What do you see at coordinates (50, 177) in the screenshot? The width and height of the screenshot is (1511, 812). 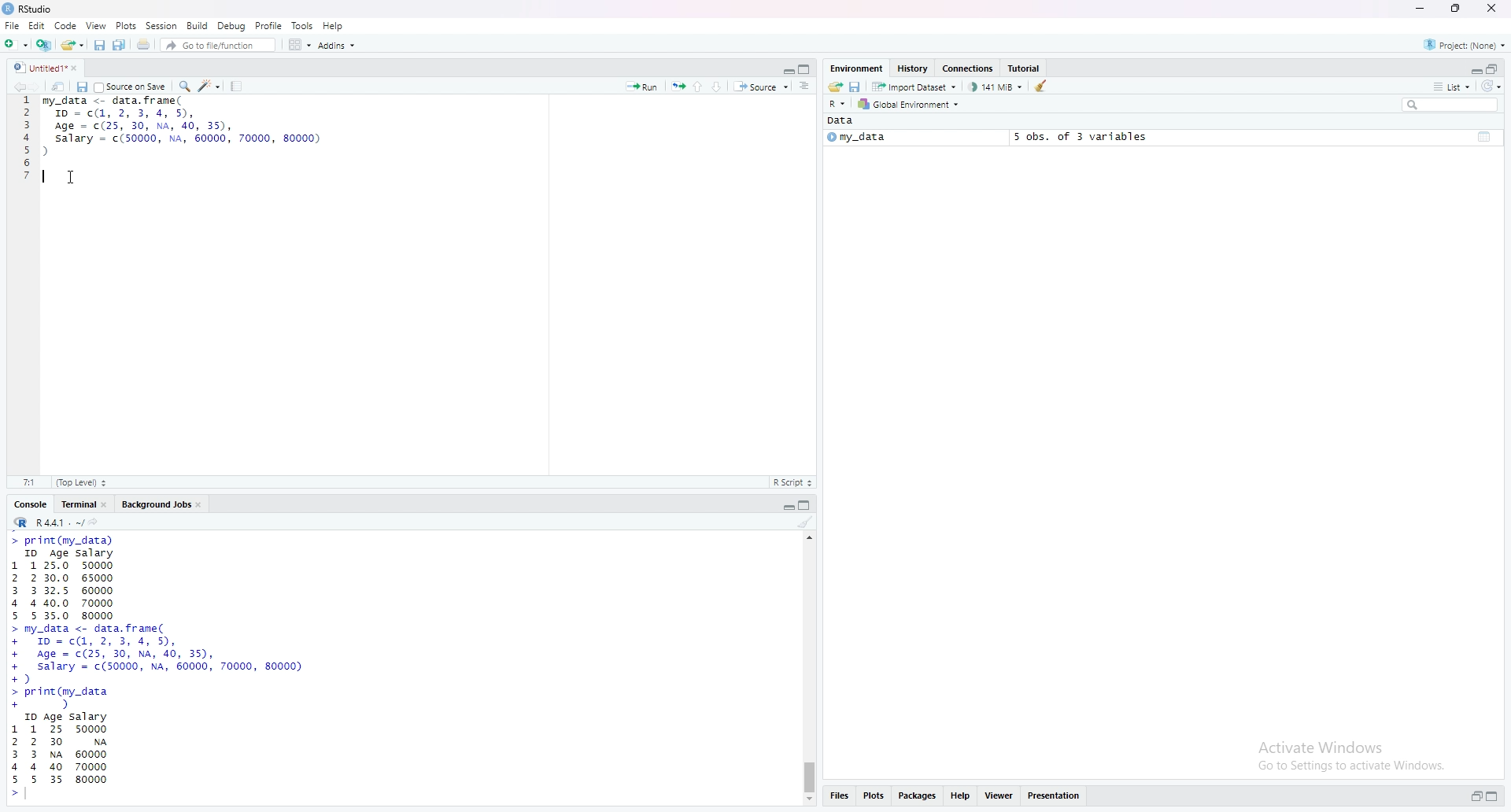 I see `text pointer` at bounding box center [50, 177].